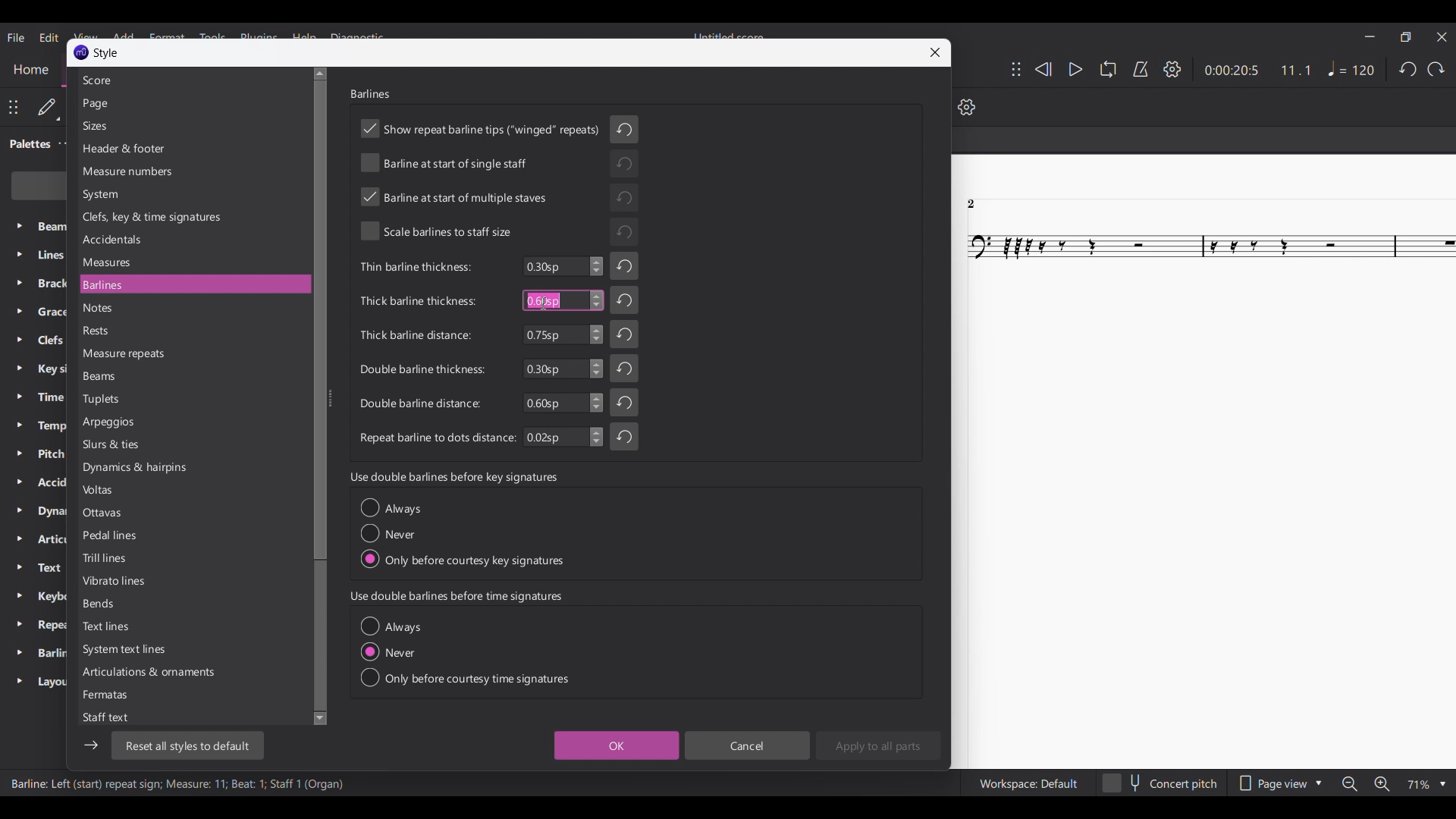 The width and height of the screenshot is (1456, 819). I want to click on Music Logo, so click(82, 52).